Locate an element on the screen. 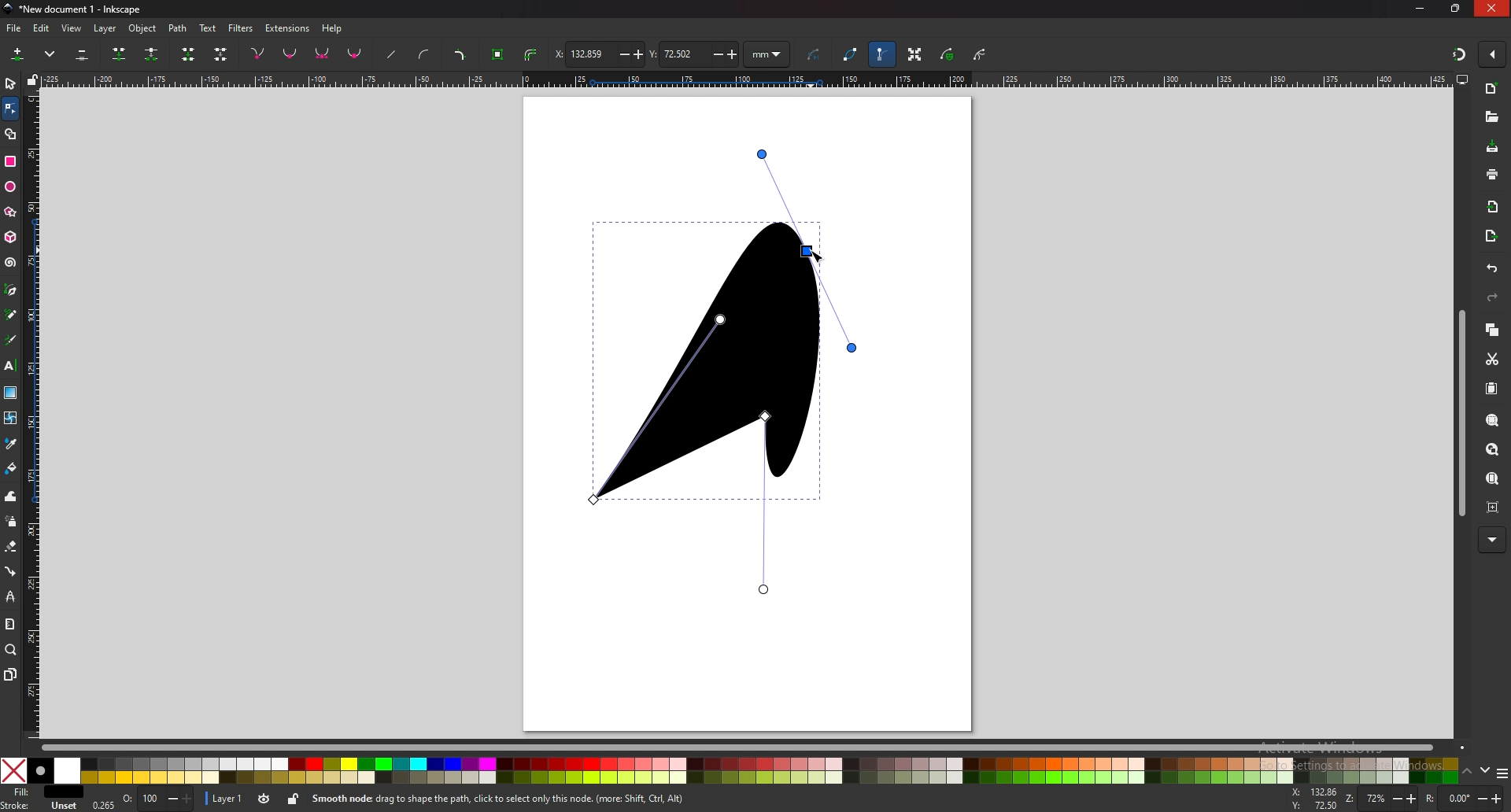 This screenshot has height=812, width=1511. open is located at coordinates (1492, 117).